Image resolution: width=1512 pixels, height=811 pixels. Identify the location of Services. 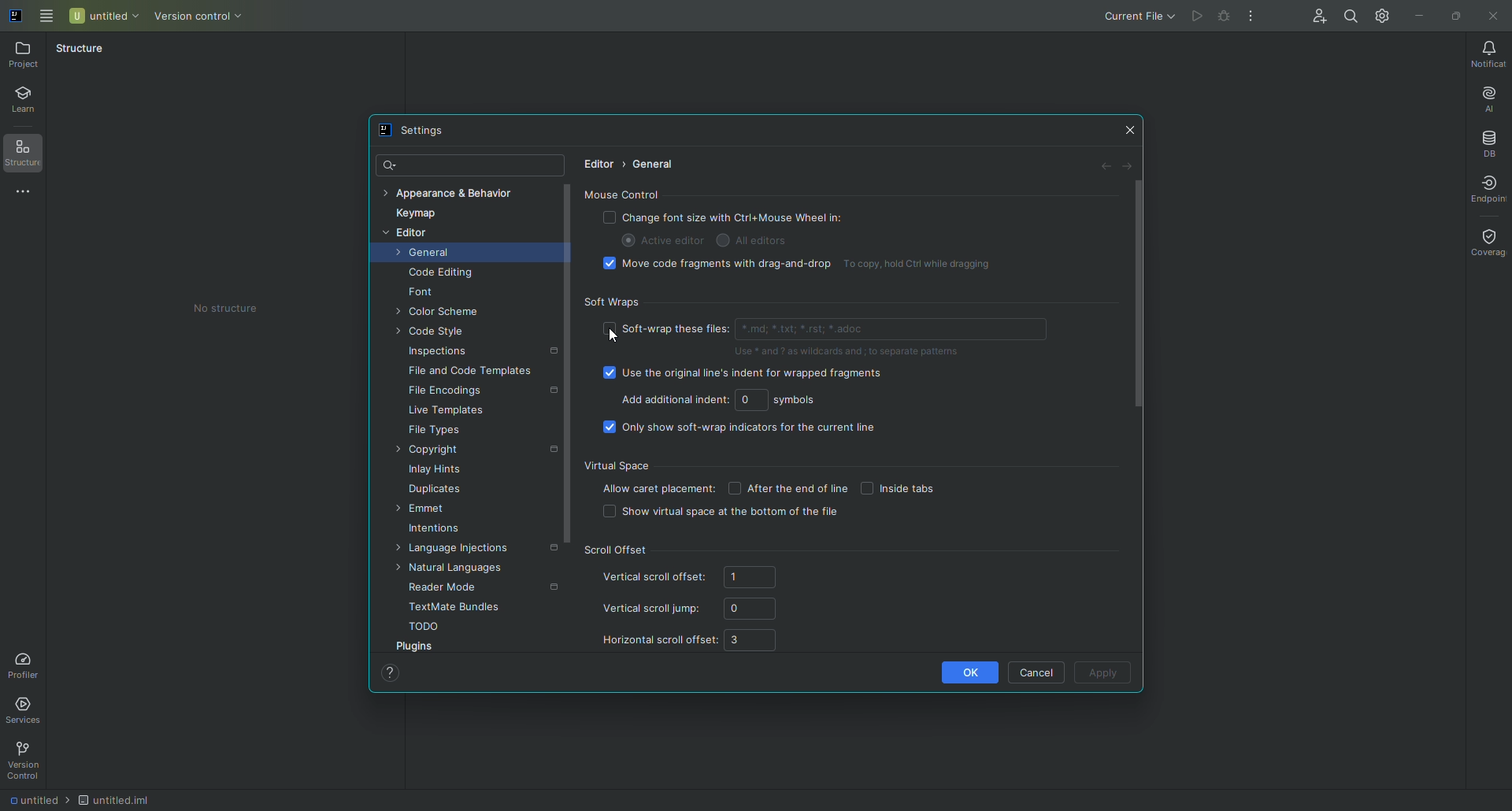
(33, 710).